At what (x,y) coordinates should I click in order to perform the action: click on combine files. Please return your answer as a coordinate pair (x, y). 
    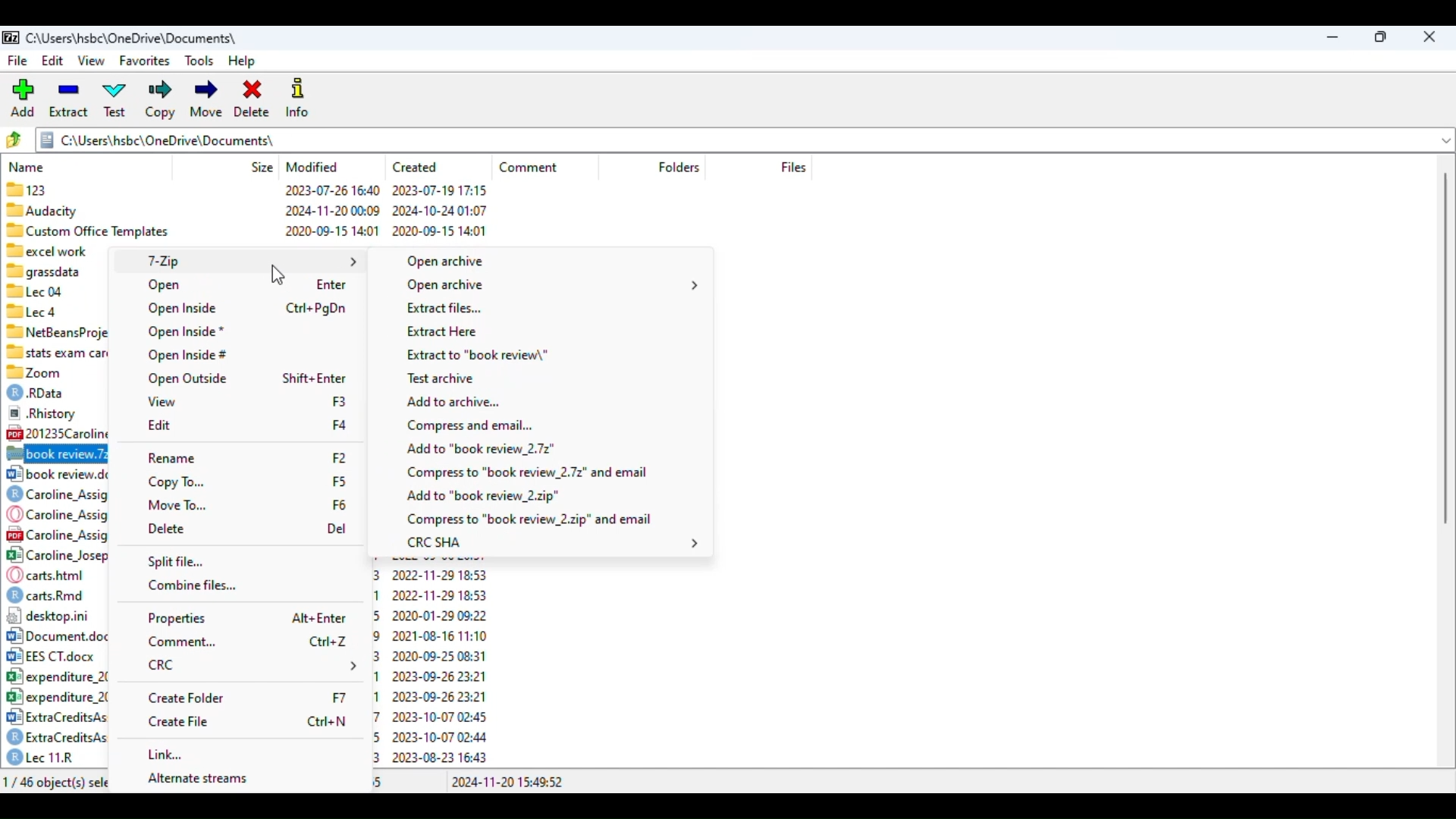
    Looking at the image, I should click on (192, 586).